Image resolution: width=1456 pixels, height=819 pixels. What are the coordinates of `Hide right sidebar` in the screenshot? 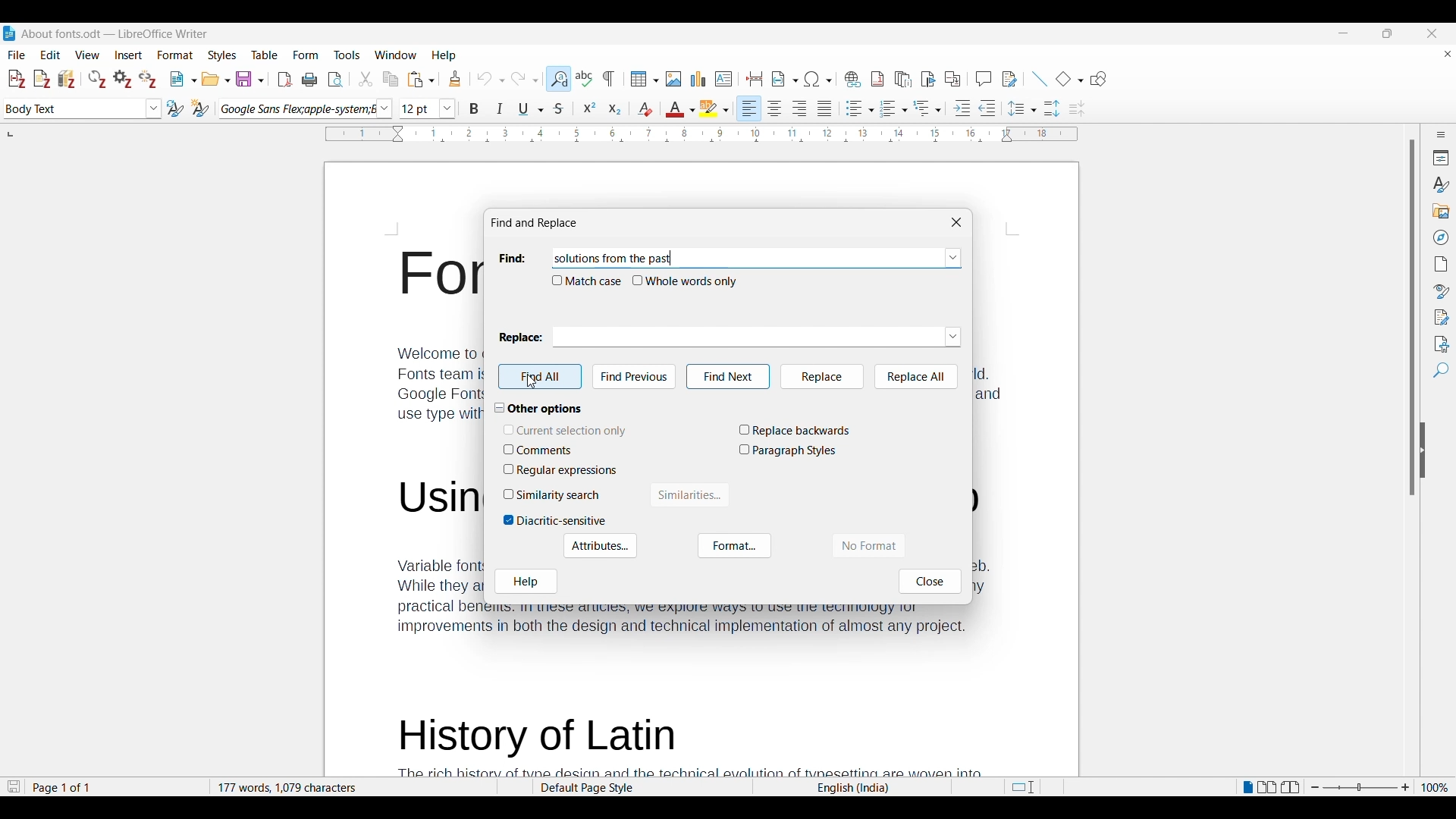 It's located at (1423, 450).